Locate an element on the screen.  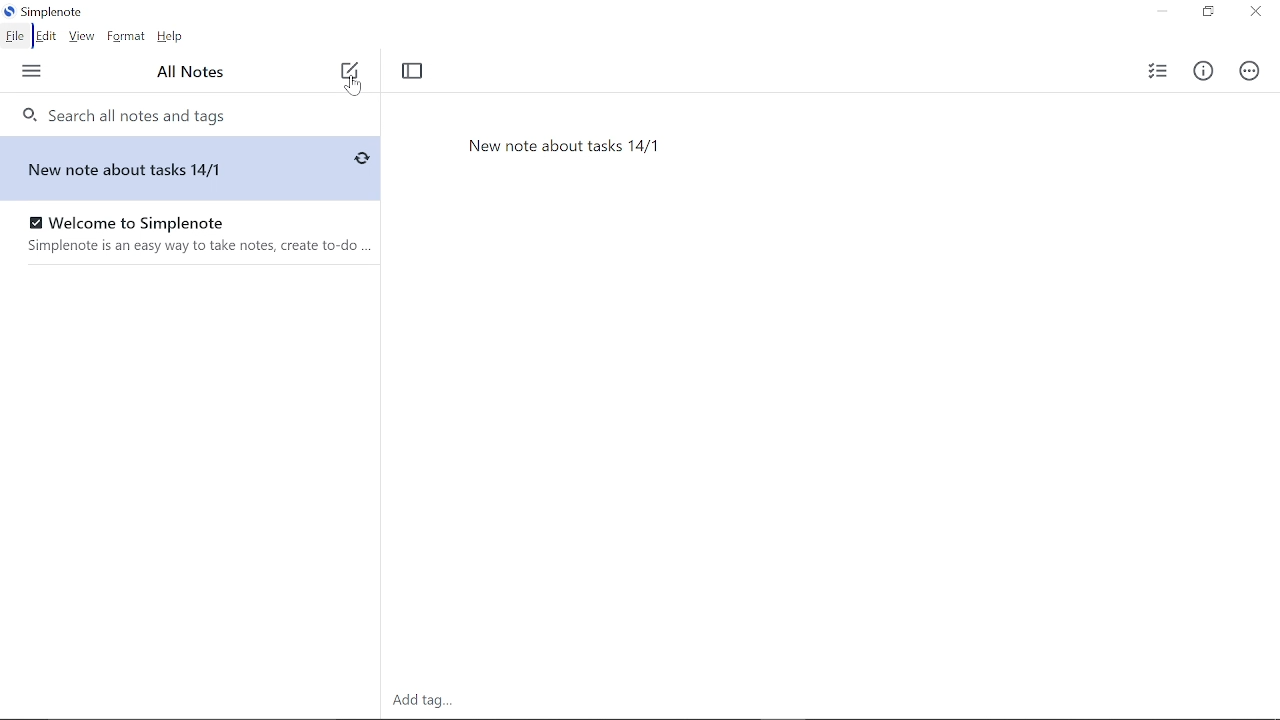
Cursor is located at coordinates (354, 86).